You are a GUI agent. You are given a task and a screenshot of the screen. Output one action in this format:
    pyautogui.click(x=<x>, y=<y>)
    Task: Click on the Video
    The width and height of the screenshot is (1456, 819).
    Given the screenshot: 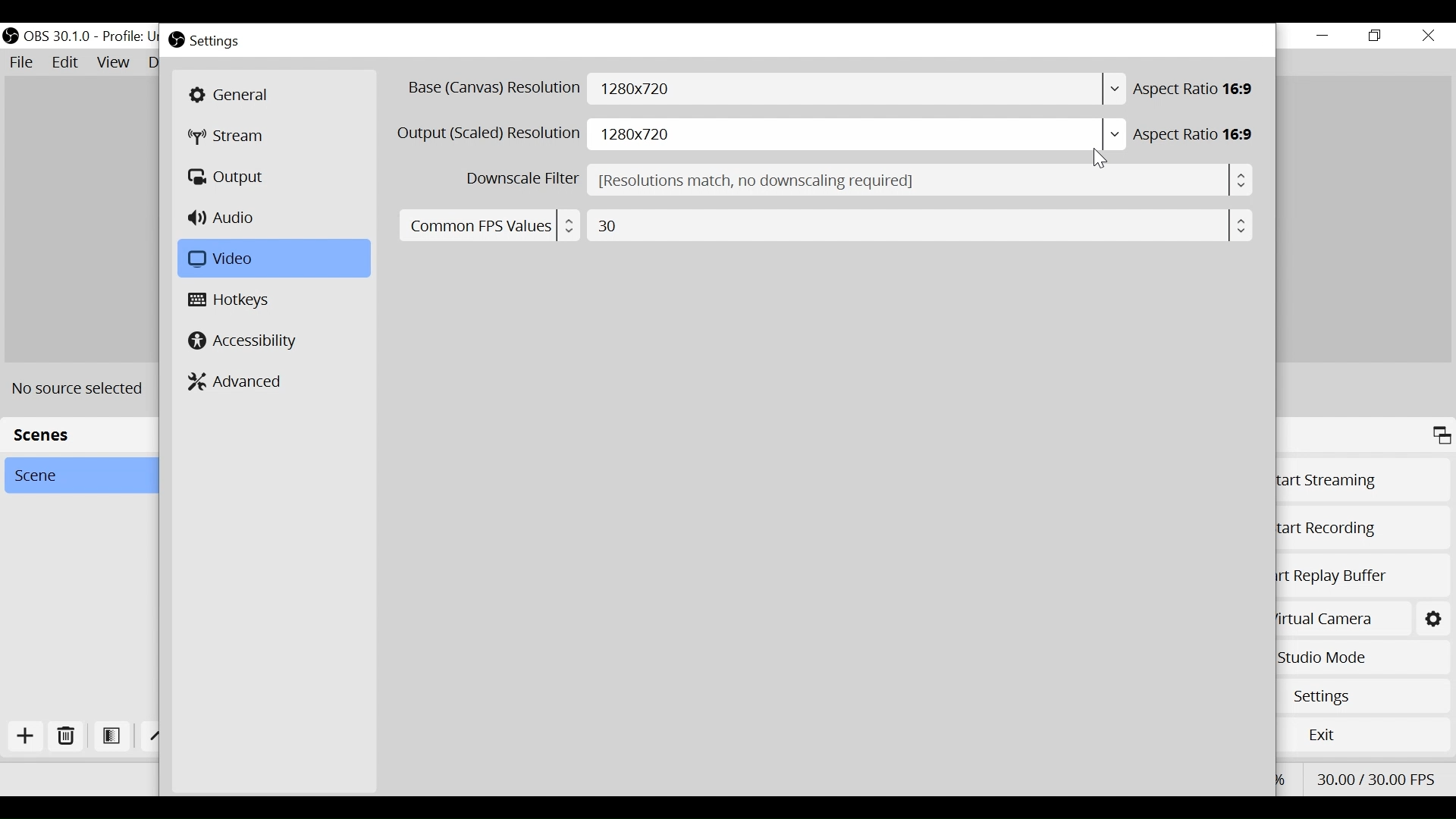 What is the action you would take?
    pyautogui.click(x=271, y=259)
    